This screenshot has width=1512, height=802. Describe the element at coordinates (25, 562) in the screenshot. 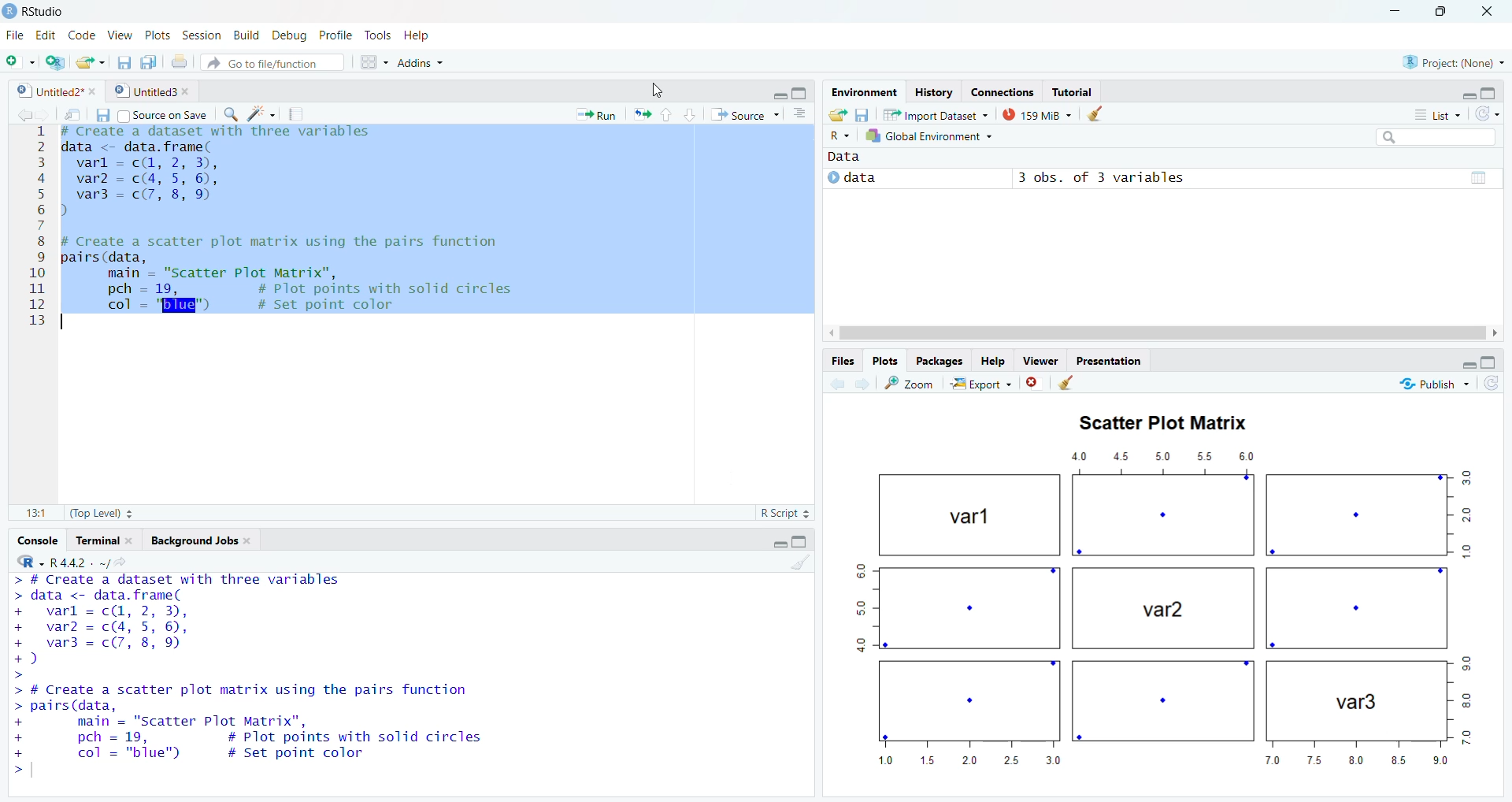

I see `R` at that location.